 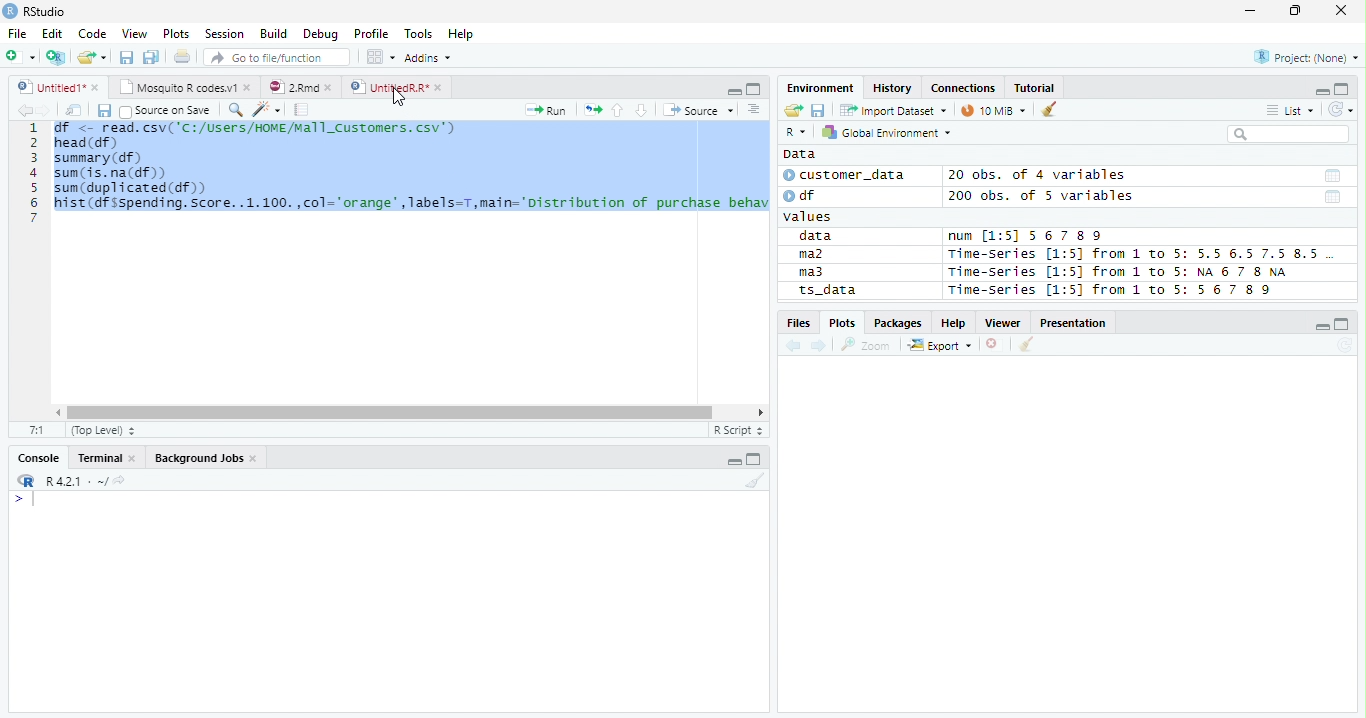 What do you see at coordinates (848, 175) in the screenshot?
I see `customer_data` at bounding box center [848, 175].